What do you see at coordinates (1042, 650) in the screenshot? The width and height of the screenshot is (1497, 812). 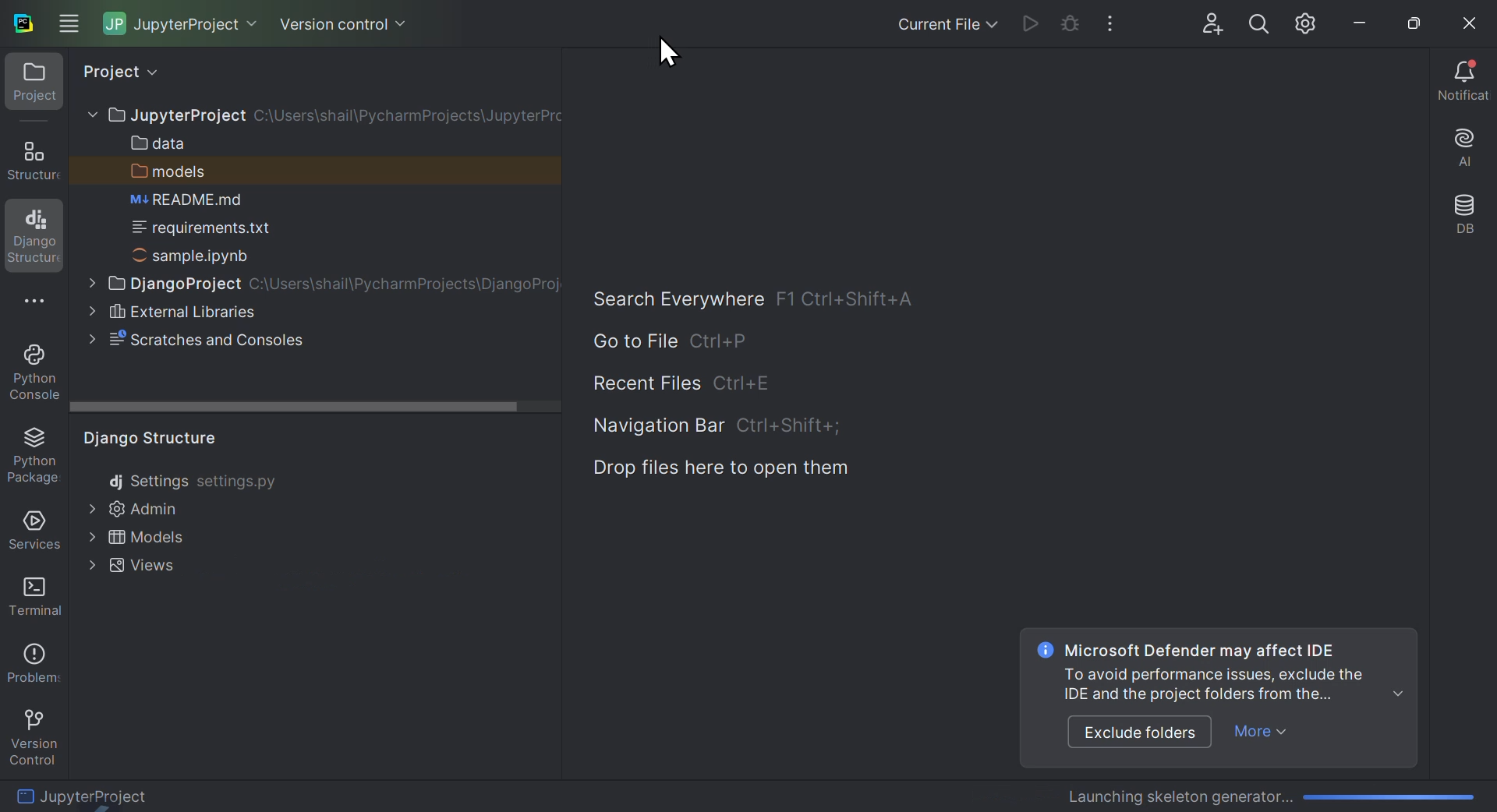 I see `i` at bounding box center [1042, 650].